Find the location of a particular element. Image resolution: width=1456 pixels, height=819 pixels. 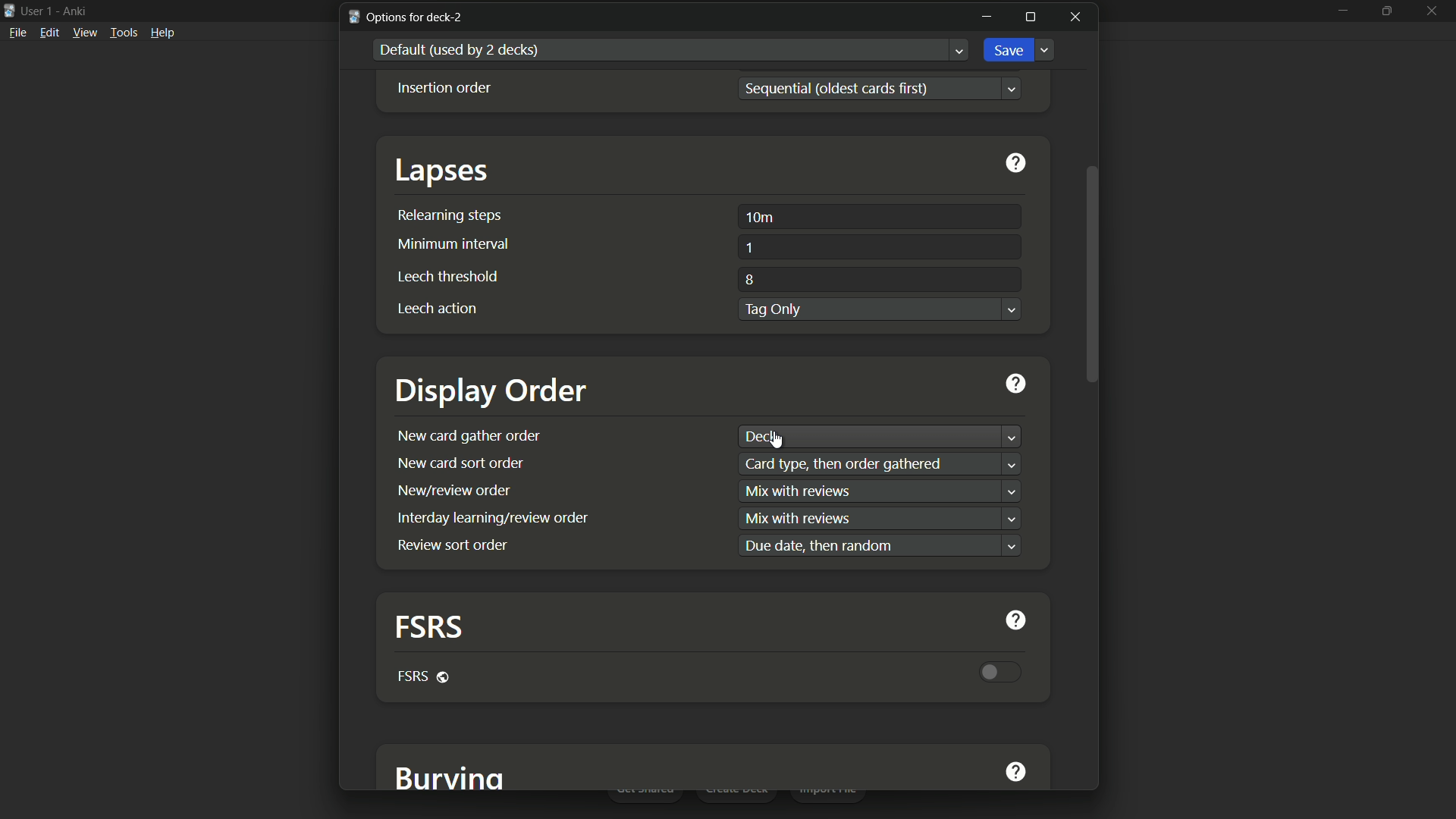

dropdown is located at coordinates (1012, 491).